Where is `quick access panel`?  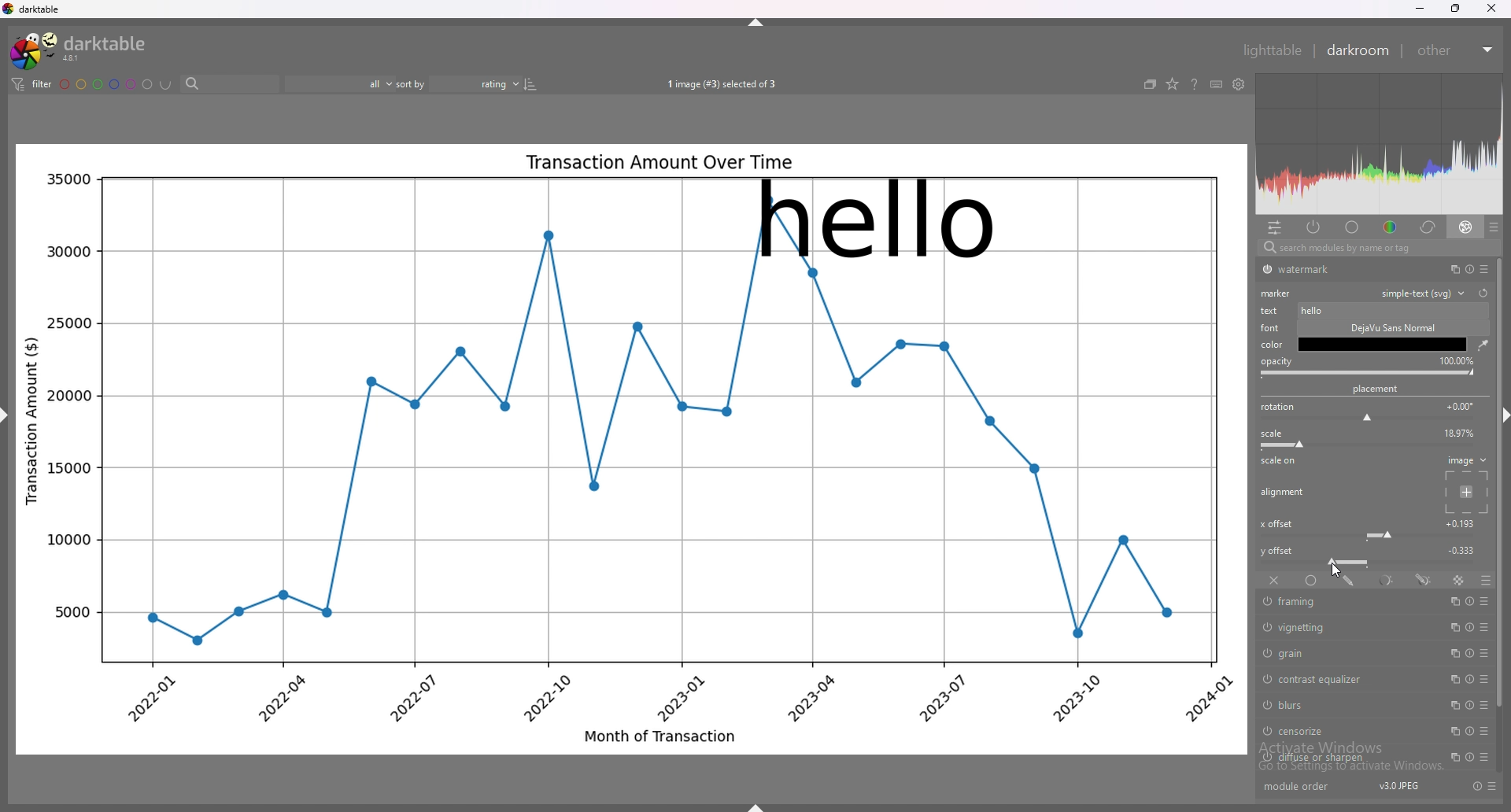
quick access panel is located at coordinates (1274, 227).